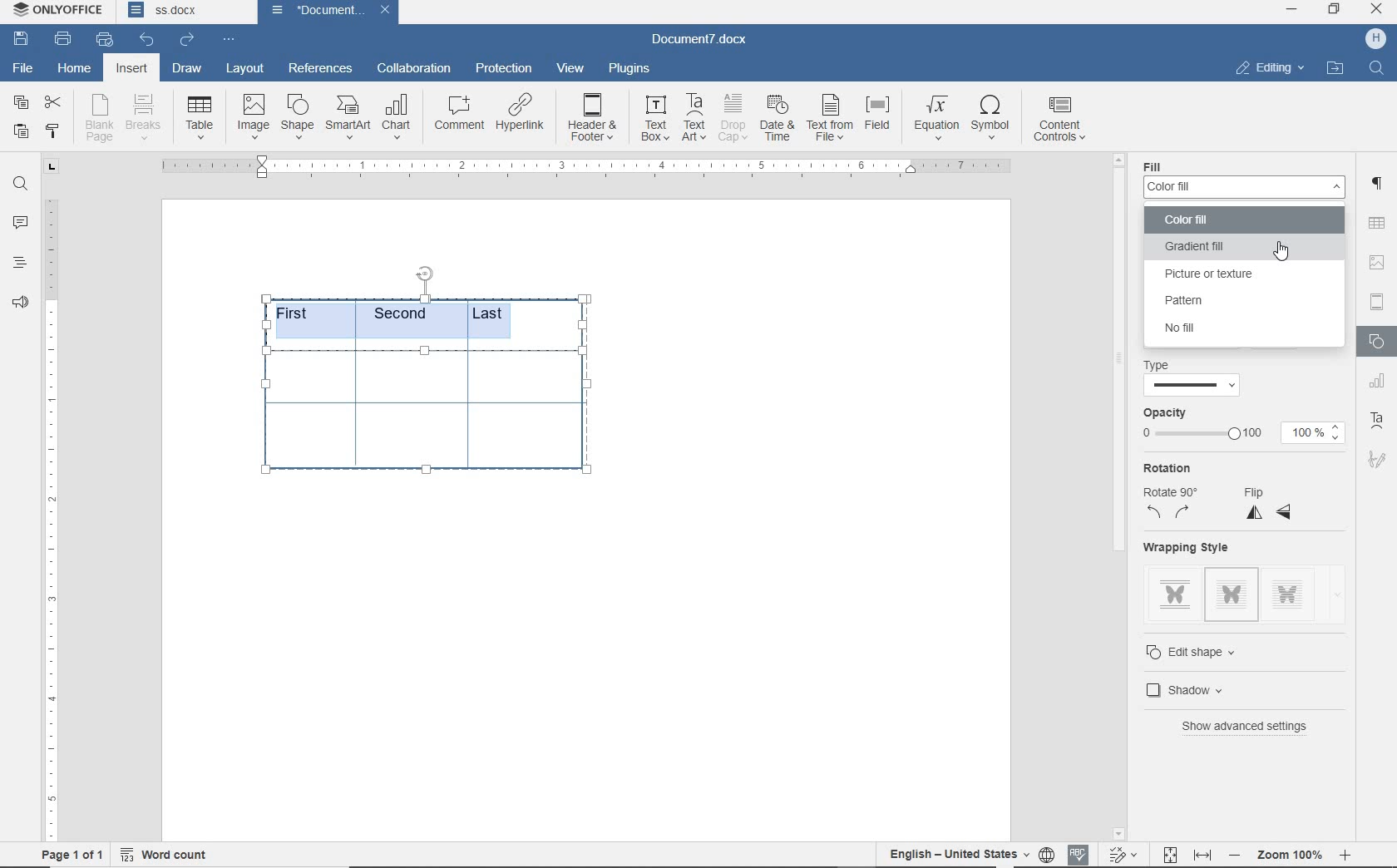  Describe the element at coordinates (1378, 68) in the screenshot. I see `FIND` at that location.